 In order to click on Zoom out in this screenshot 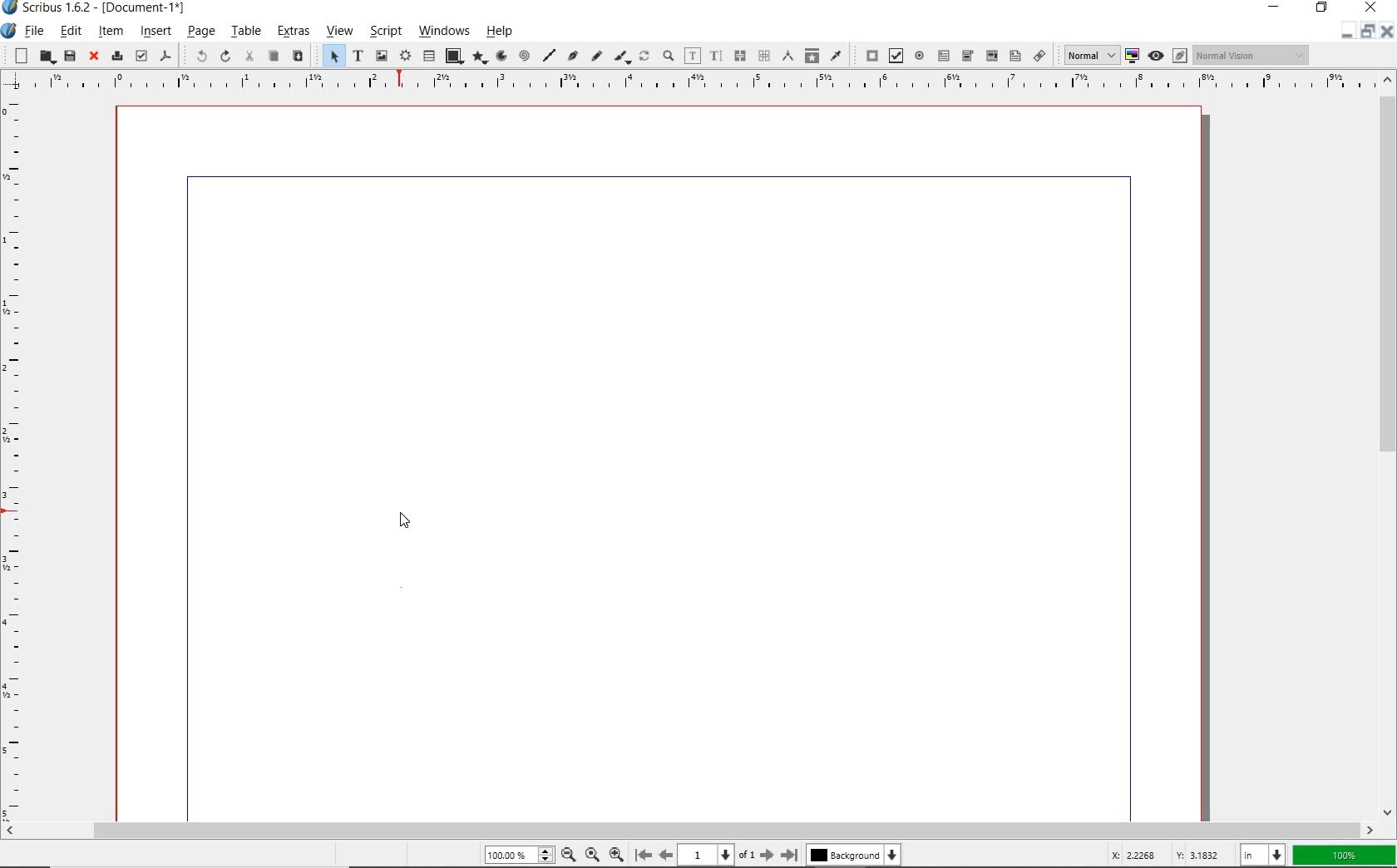, I will do `click(565, 855)`.